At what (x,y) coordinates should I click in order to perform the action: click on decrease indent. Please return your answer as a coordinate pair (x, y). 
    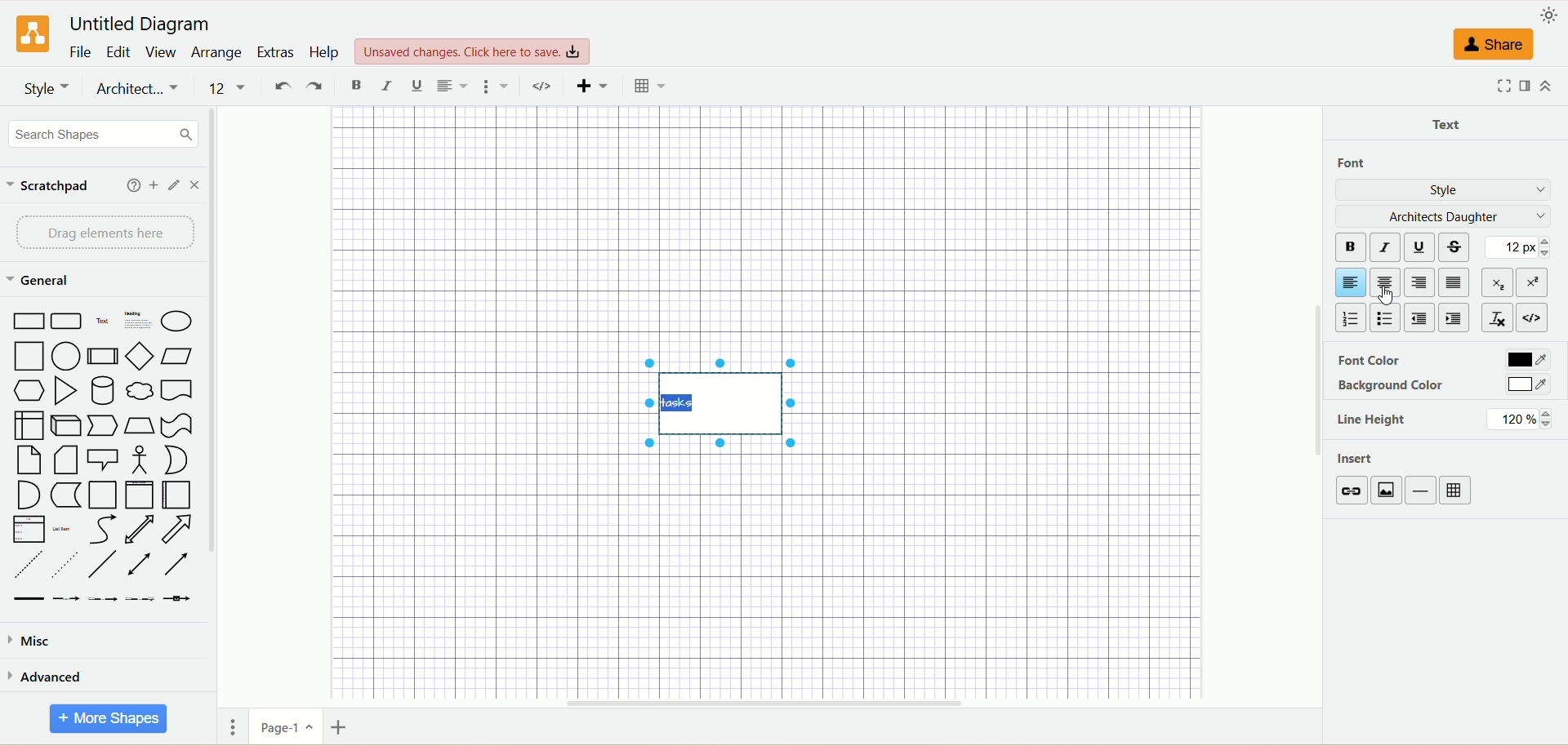
    Looking at the image, I should click on (1420, 317).